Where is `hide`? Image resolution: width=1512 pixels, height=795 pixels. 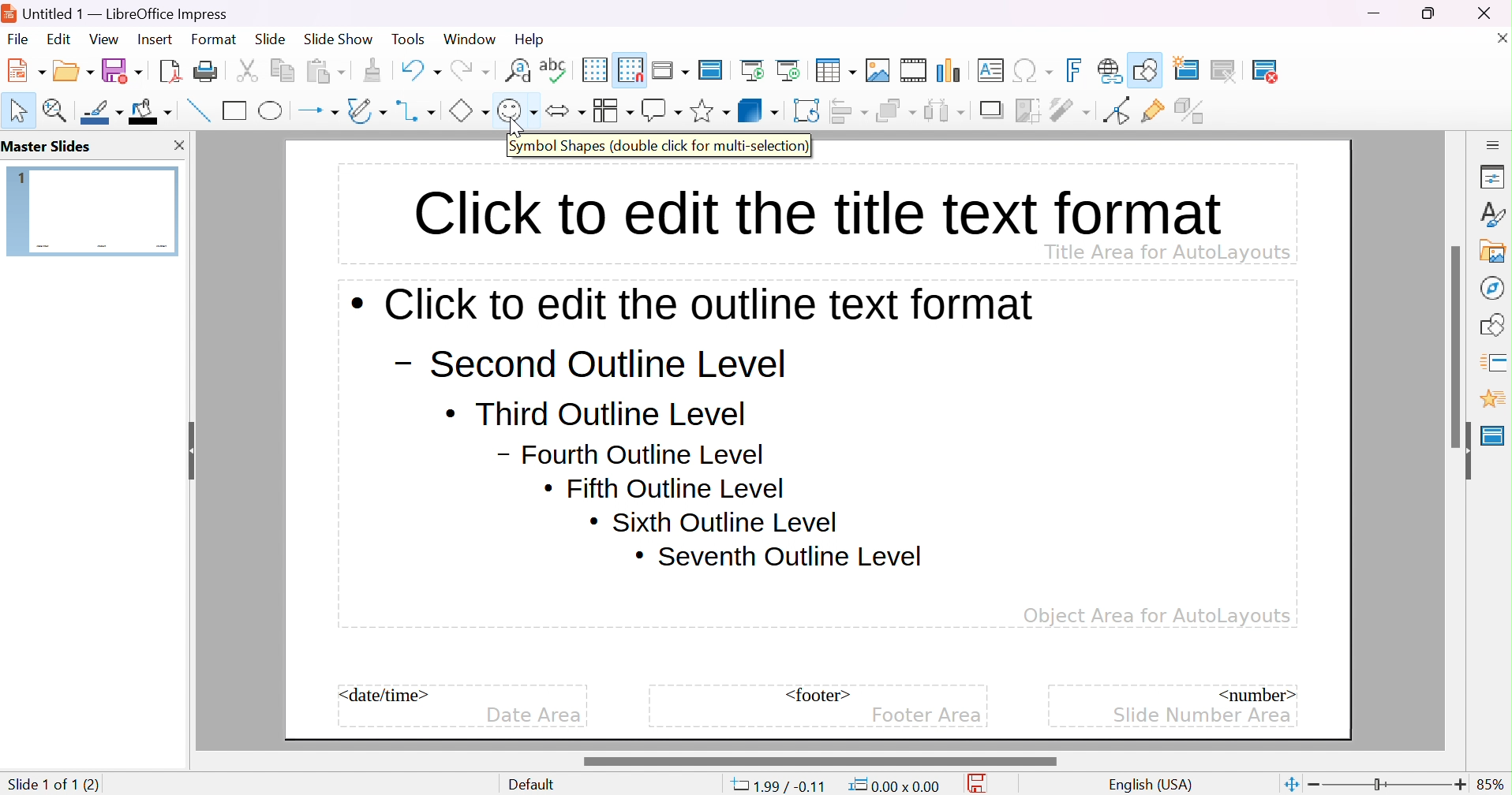
hide is located at coordinates (189, 446).